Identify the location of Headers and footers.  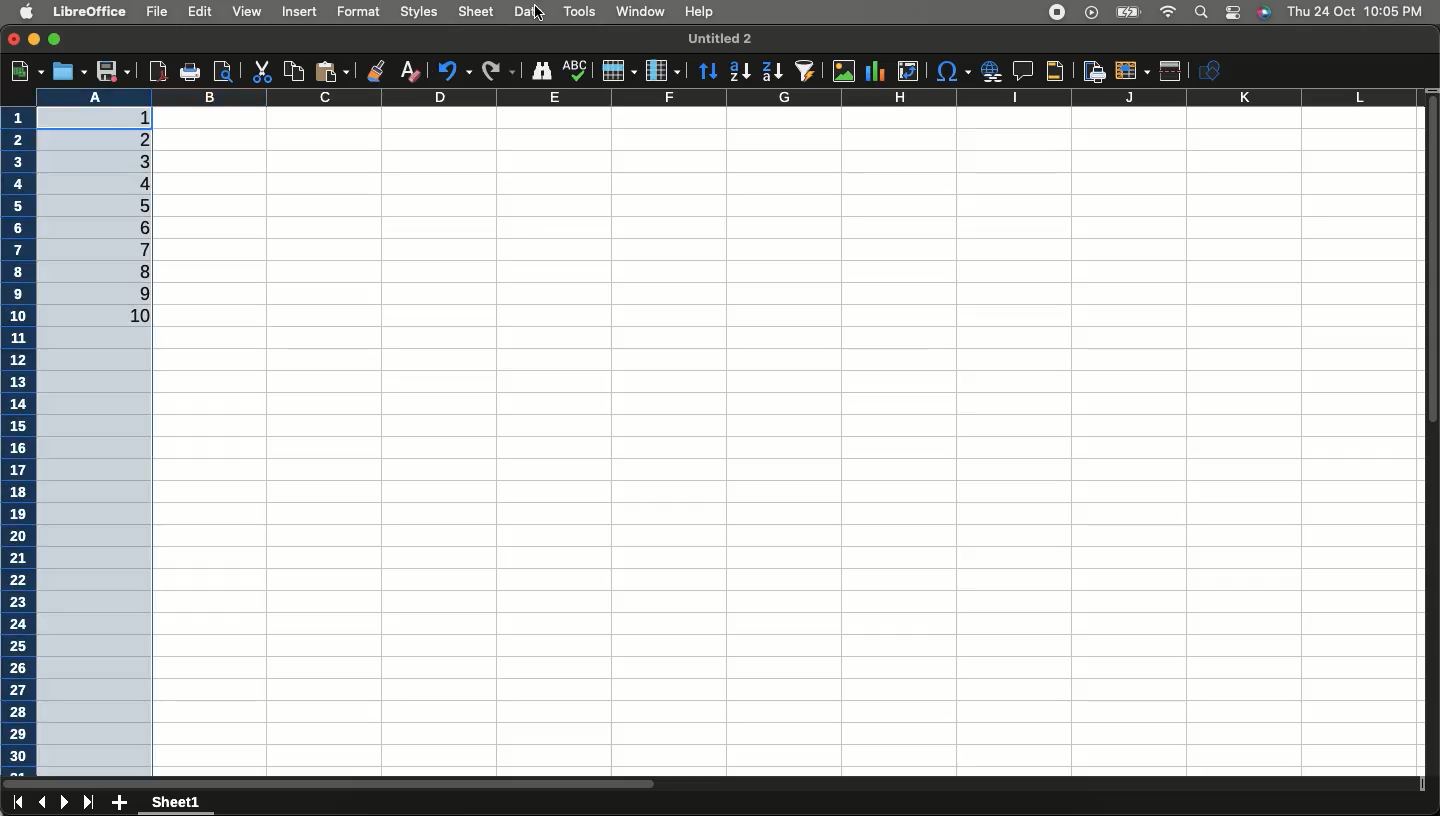
(1054, 72).